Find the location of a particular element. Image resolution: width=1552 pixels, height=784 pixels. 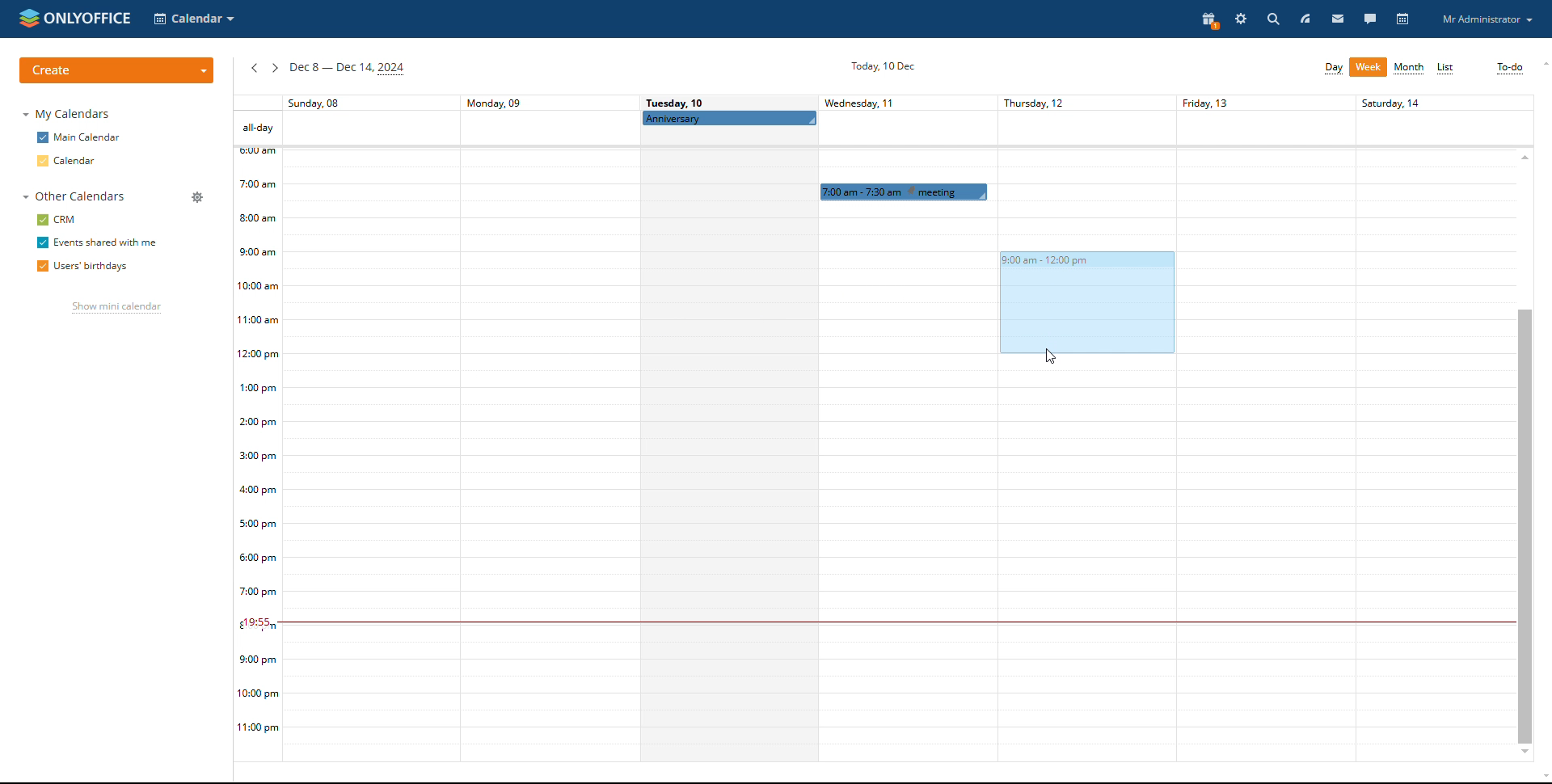

wednesday is located at coordinates (907, 485).